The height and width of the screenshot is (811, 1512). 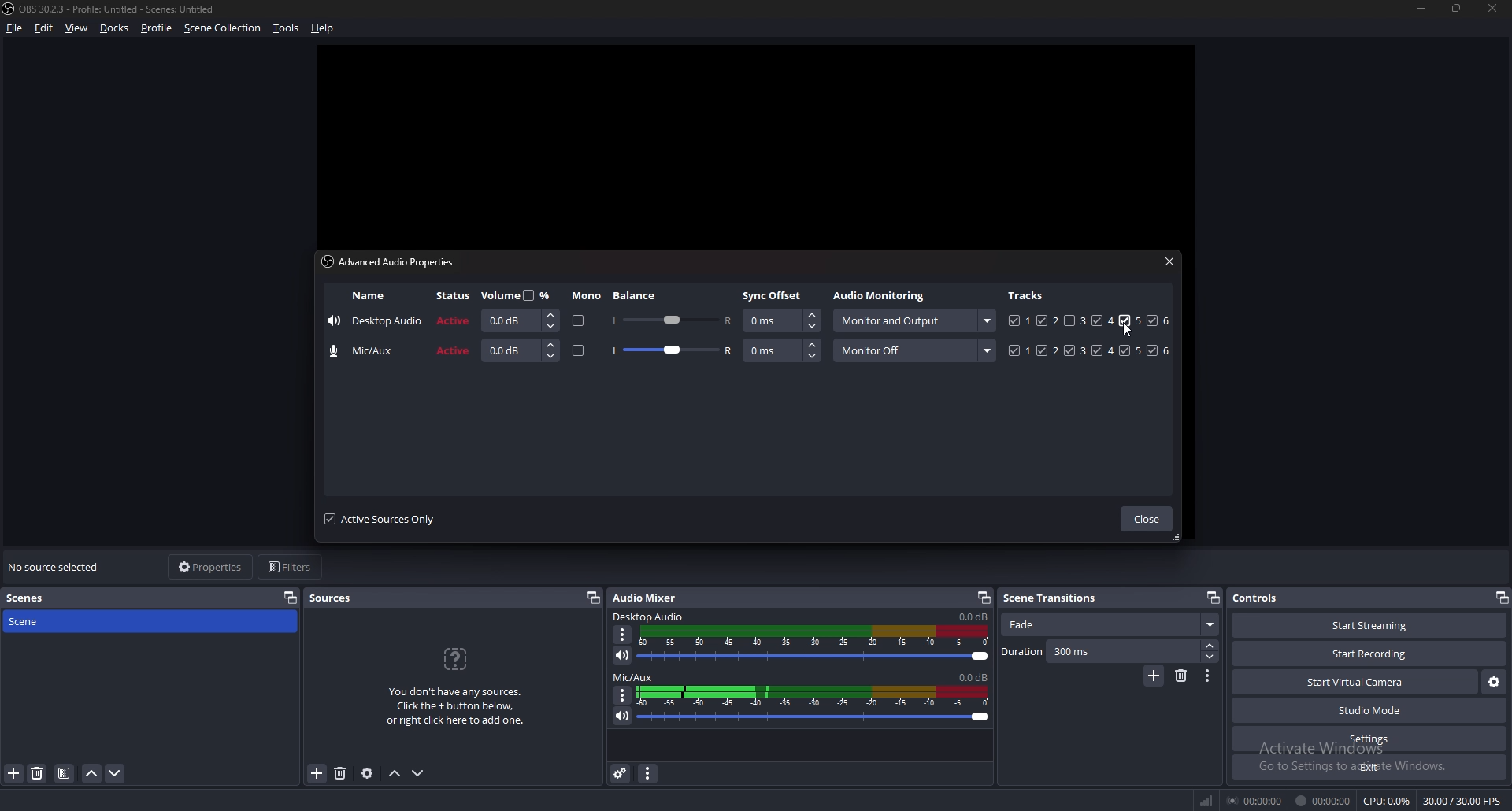 What do you see at coordinates (623, 655) in the screenshot?
I see `mute` at bounding box center [623, 655].